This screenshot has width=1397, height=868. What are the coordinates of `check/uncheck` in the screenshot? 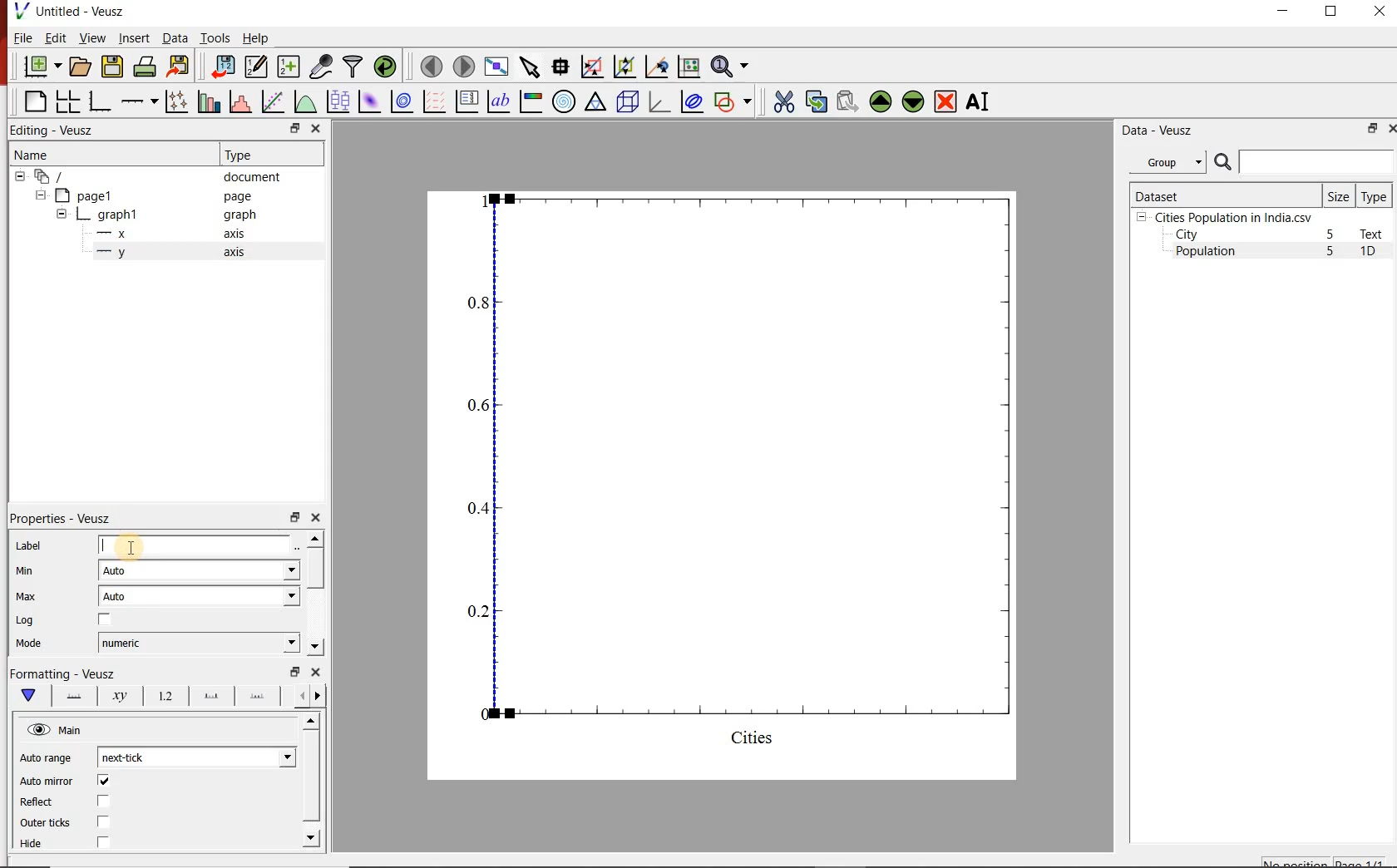 It's located at (103, 823).